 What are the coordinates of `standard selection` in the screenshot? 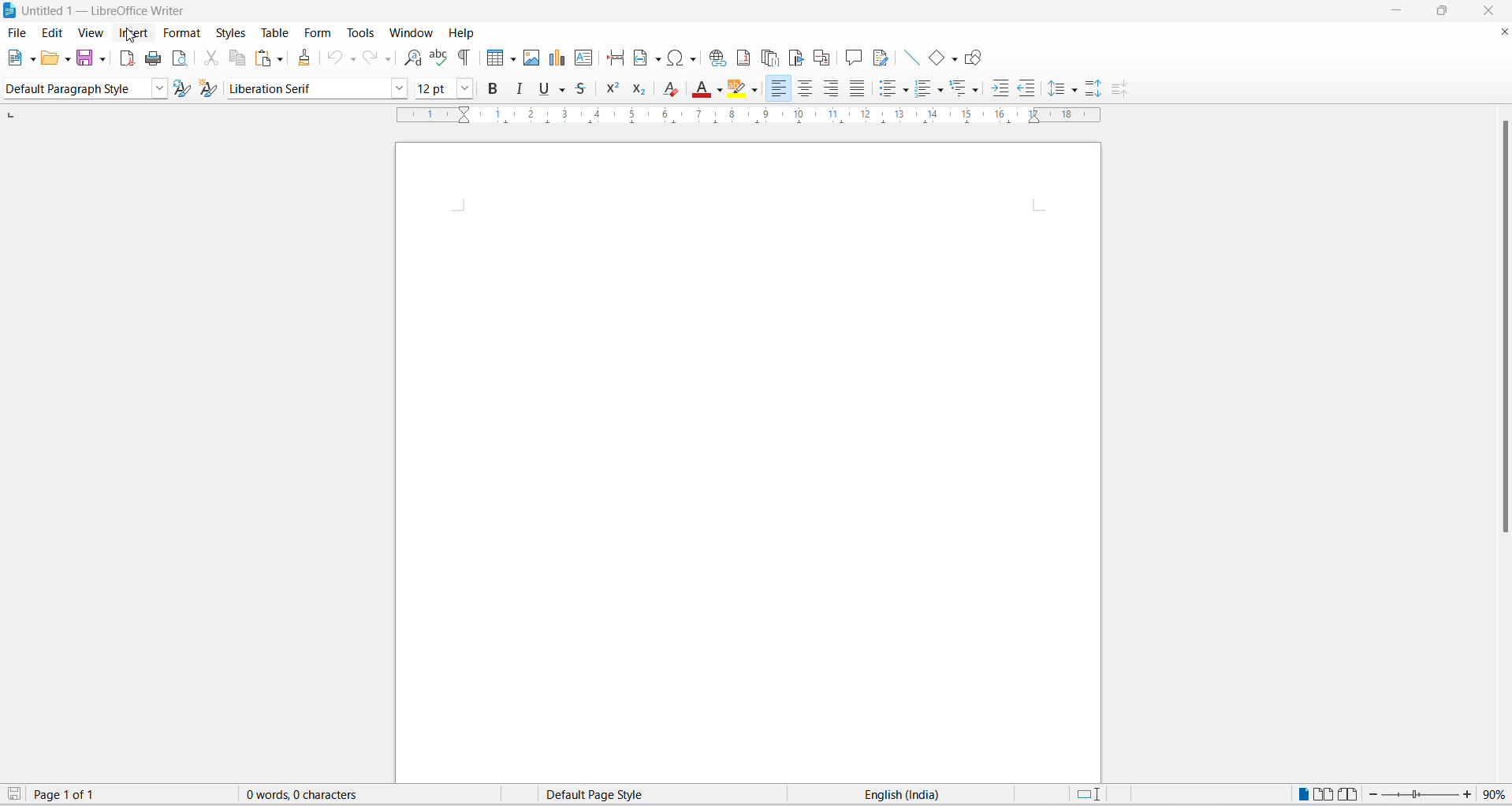 It's located at (1087, 794).